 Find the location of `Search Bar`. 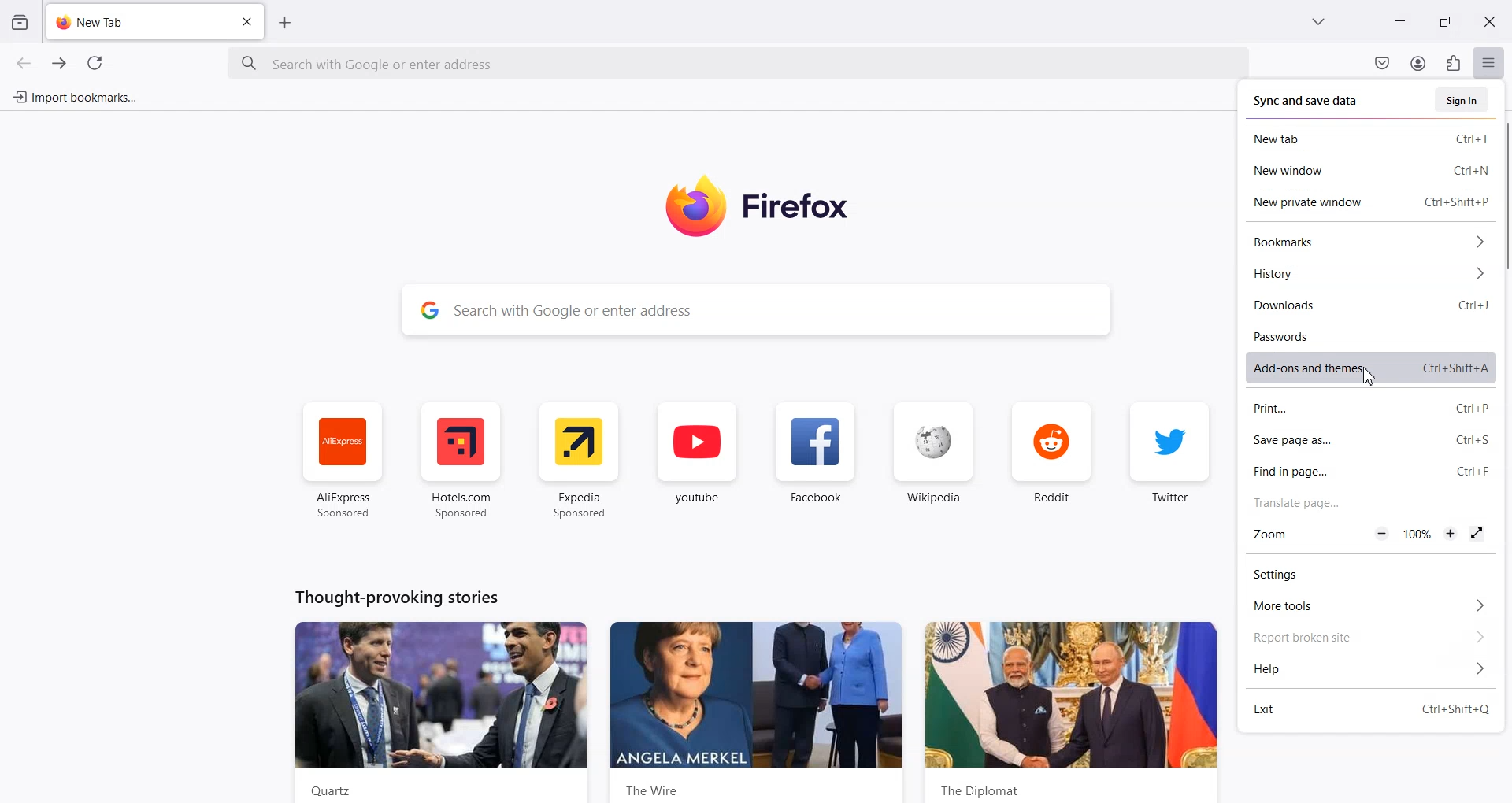

Search Bar is located at coordinates (753, 309).